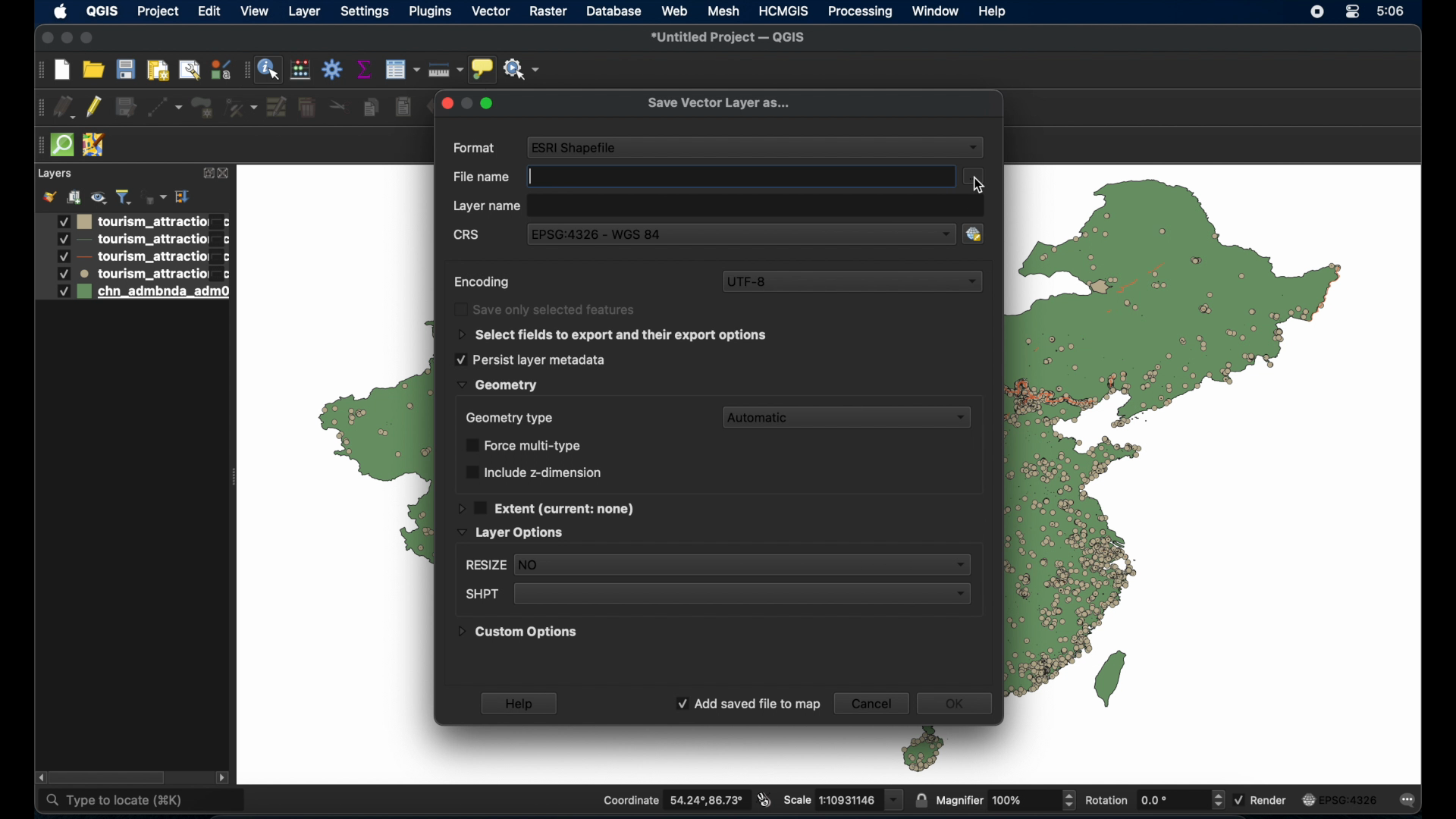 The image size is (1456, 819). Describe the element at coordinates (109, 777) in the screenshot. I see `scroll box` at that location.